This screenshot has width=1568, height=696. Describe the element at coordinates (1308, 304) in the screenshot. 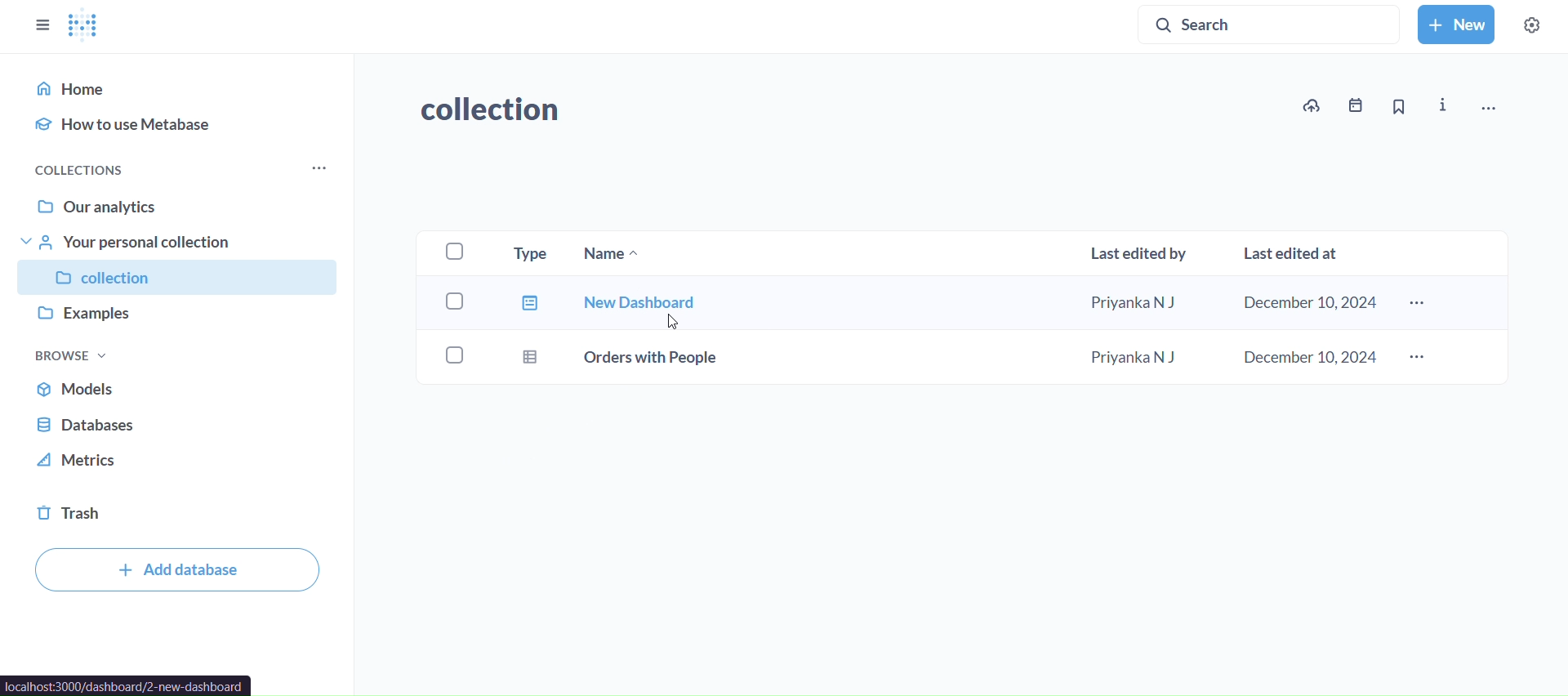

I see `december 10 2024` at that location.